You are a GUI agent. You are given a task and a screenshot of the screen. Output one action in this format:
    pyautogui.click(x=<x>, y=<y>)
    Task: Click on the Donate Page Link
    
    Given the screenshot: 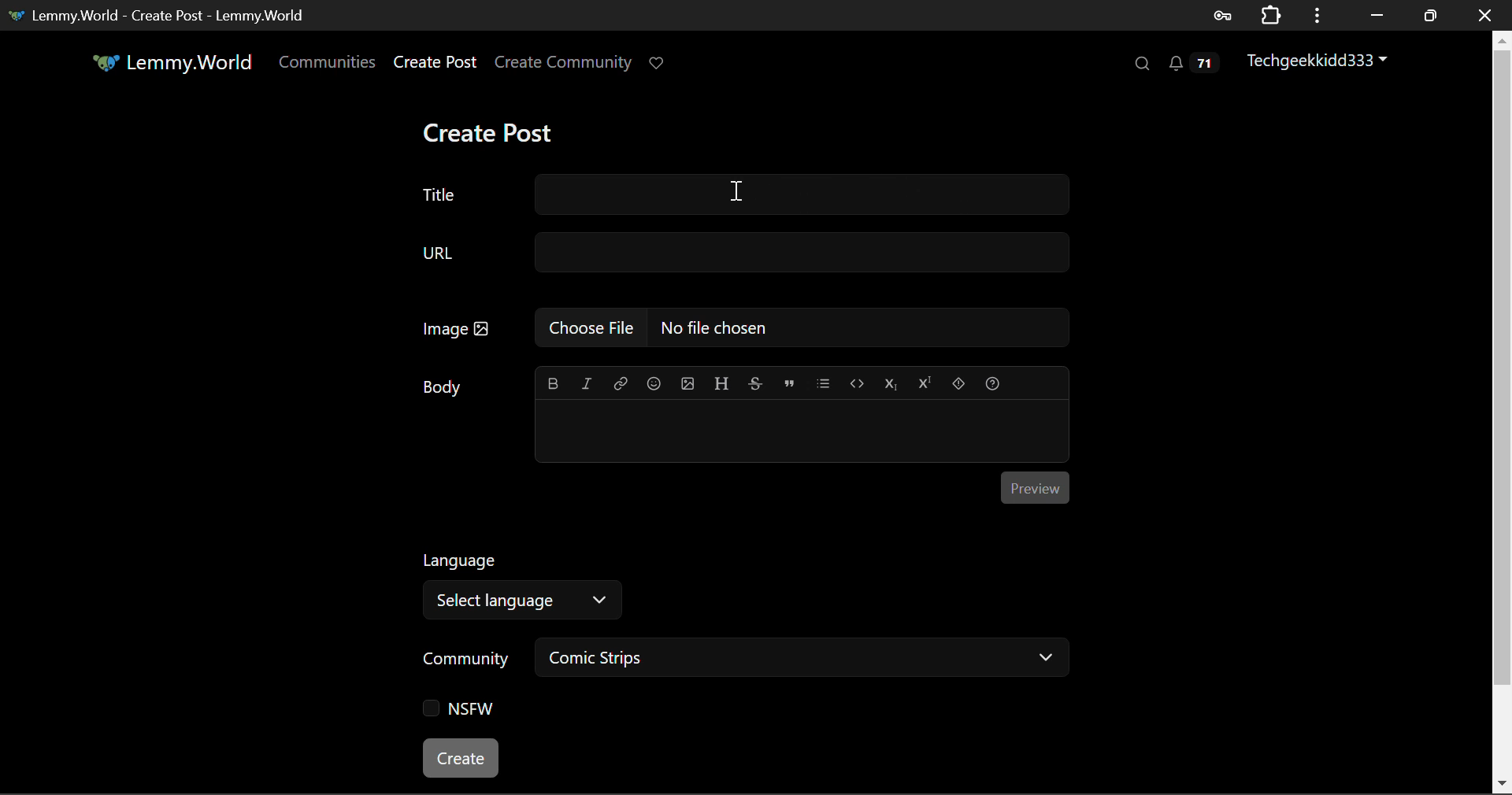 What is the action you would take?
    pyautogui.click(x=658, y=63)
    